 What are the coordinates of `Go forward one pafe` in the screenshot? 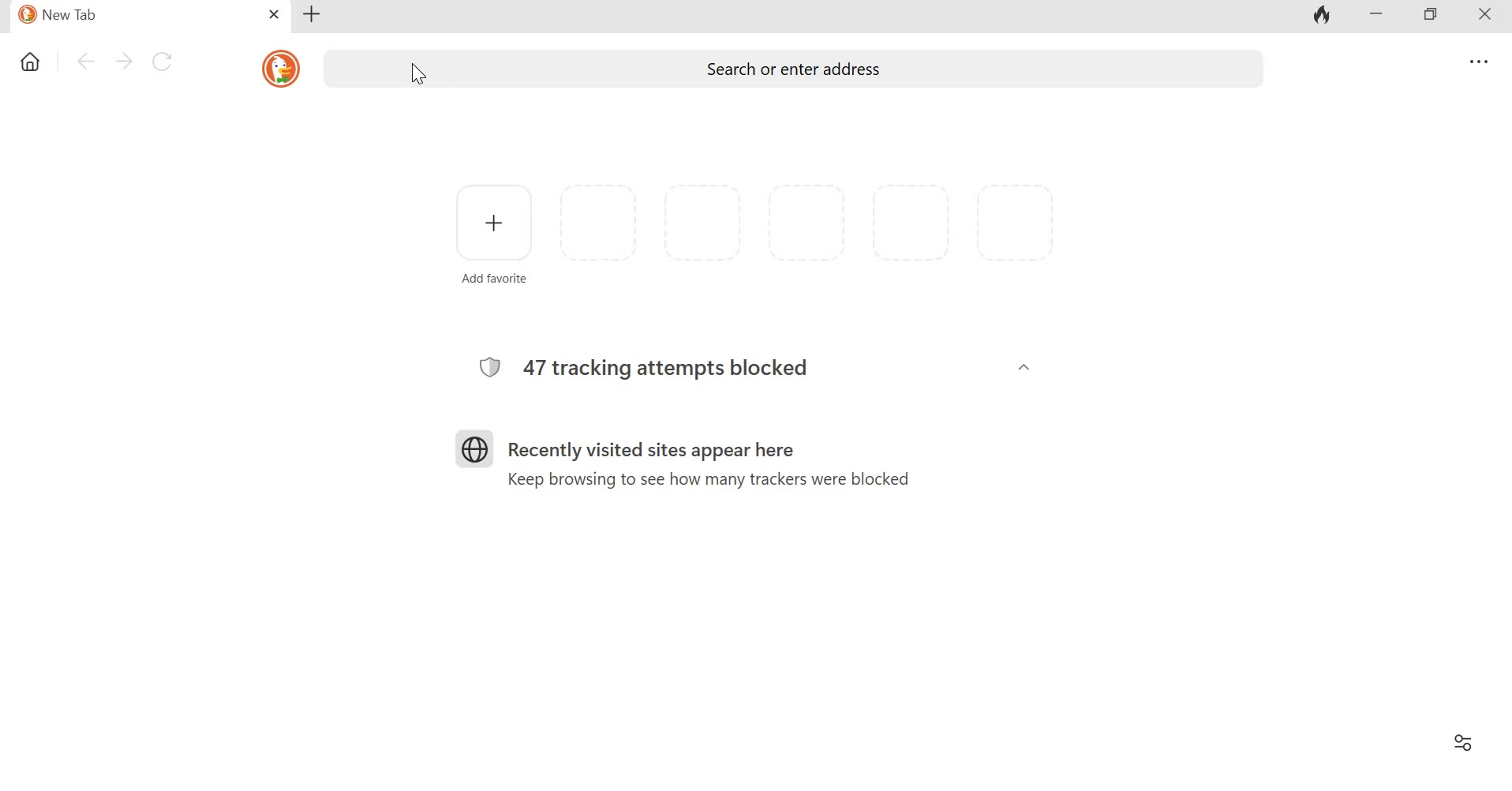 It's located at (122, 62).